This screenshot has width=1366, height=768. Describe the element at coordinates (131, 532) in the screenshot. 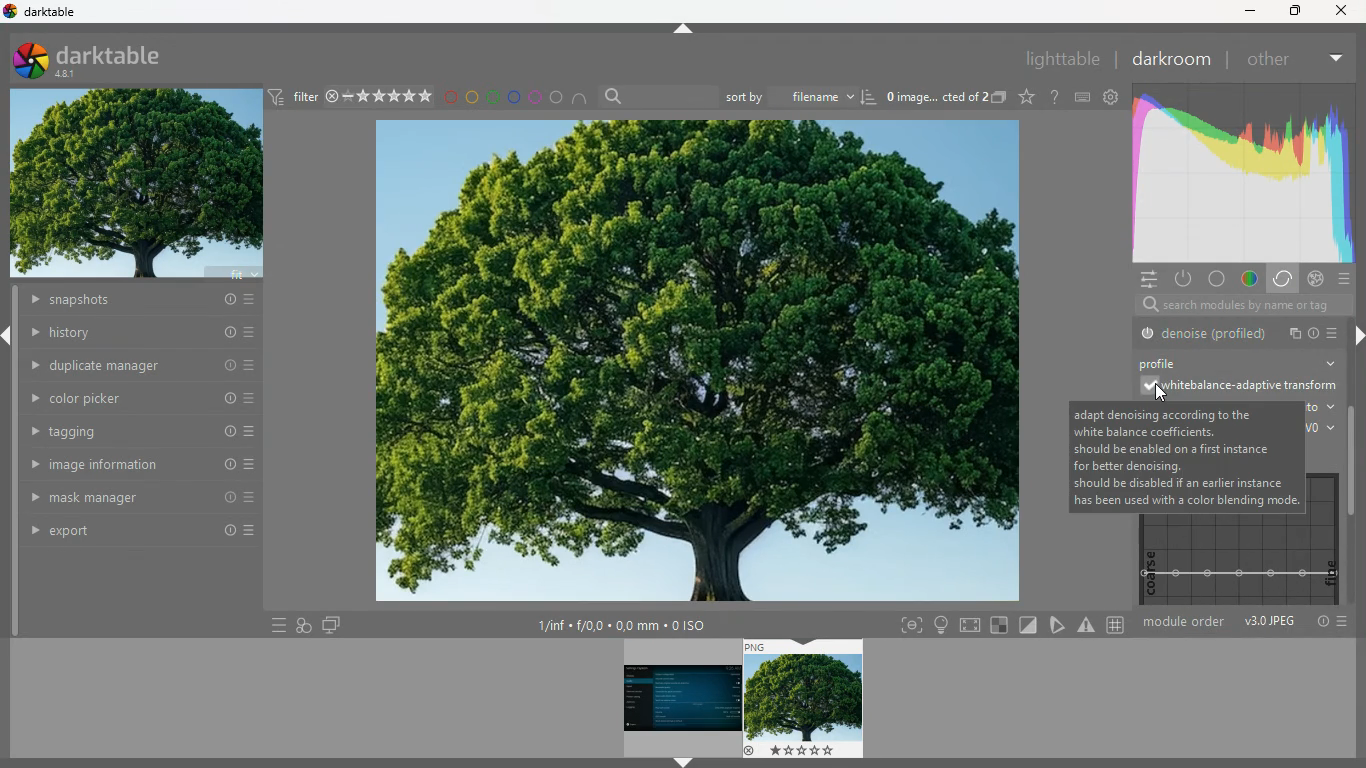

I see `export` at that location.